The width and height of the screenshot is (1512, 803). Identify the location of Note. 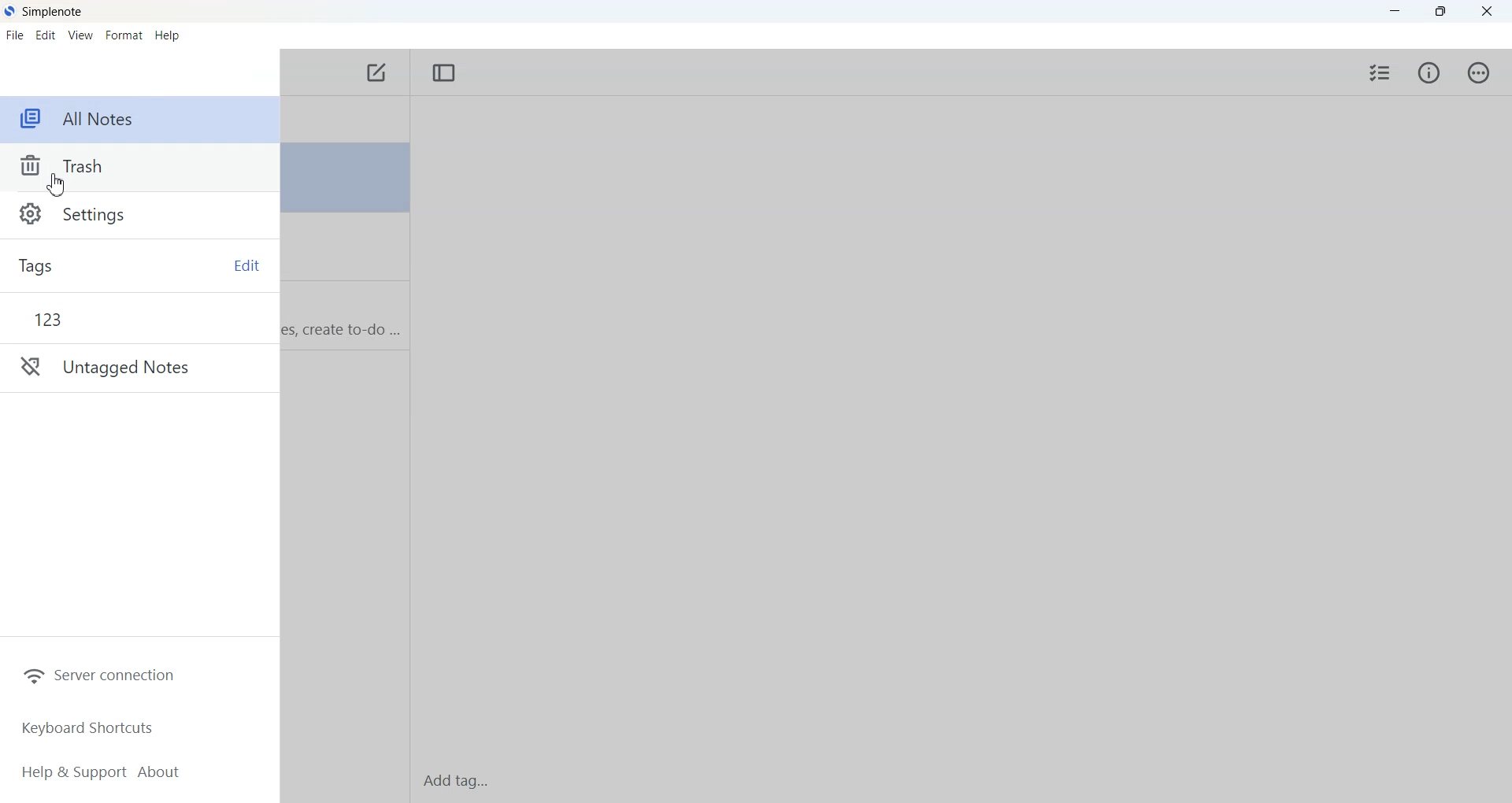
(344, 315).